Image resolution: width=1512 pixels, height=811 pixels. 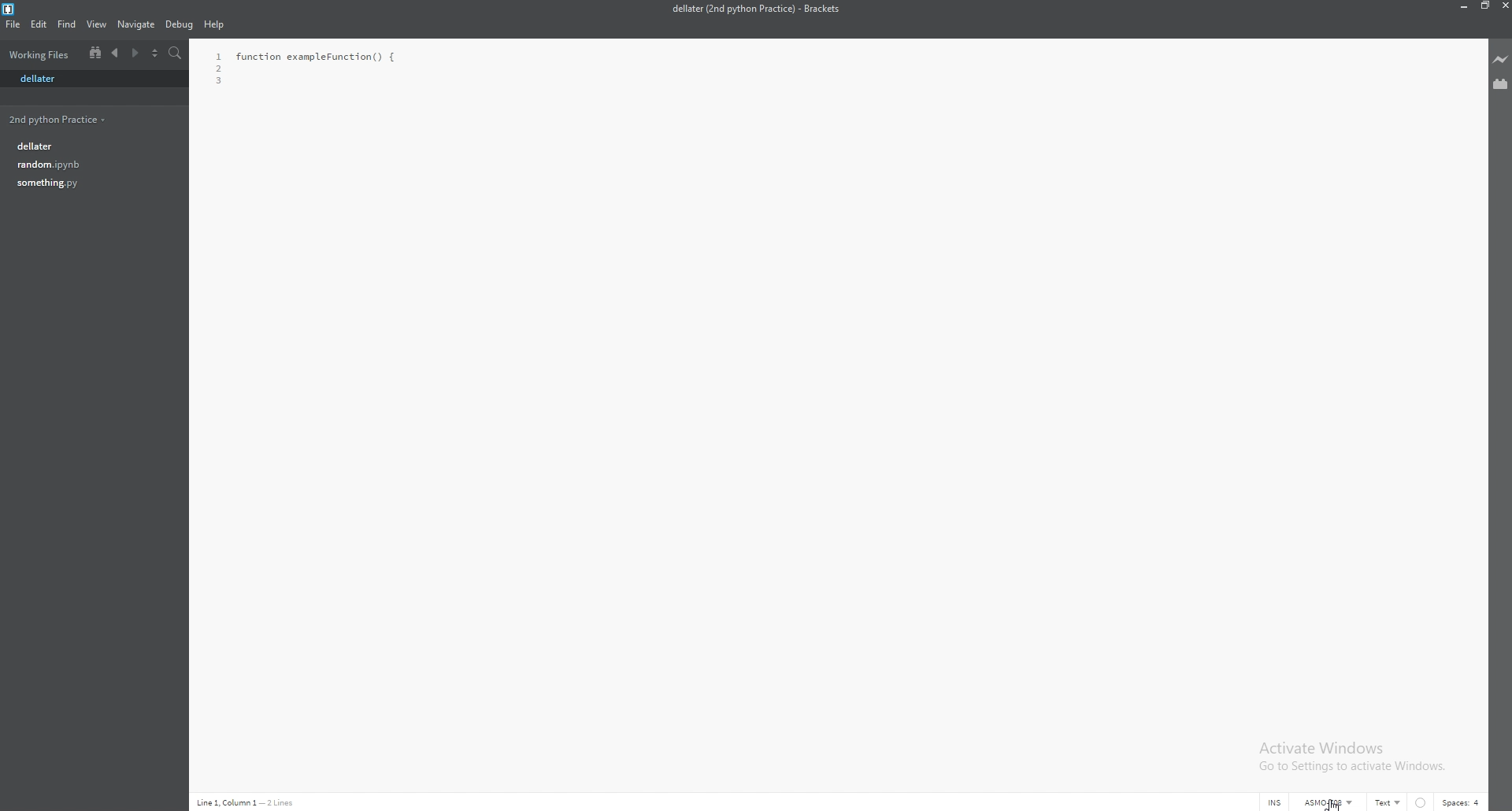 What do you see at coordinates (135, 54) in the screenshot?
I see `next` at bounding box center [135, 54].